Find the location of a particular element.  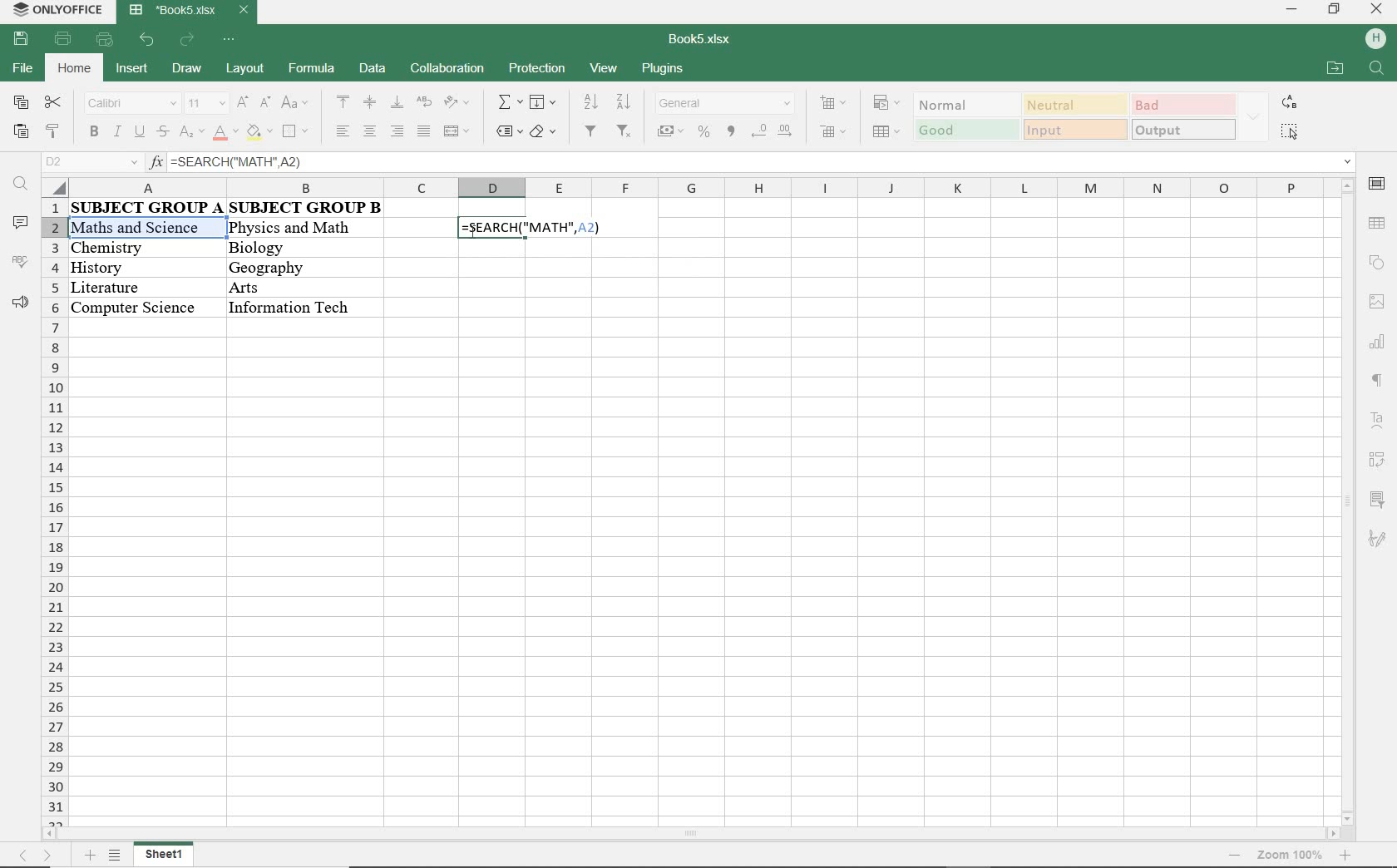

sort ascending is located at coordinates (589, 102).